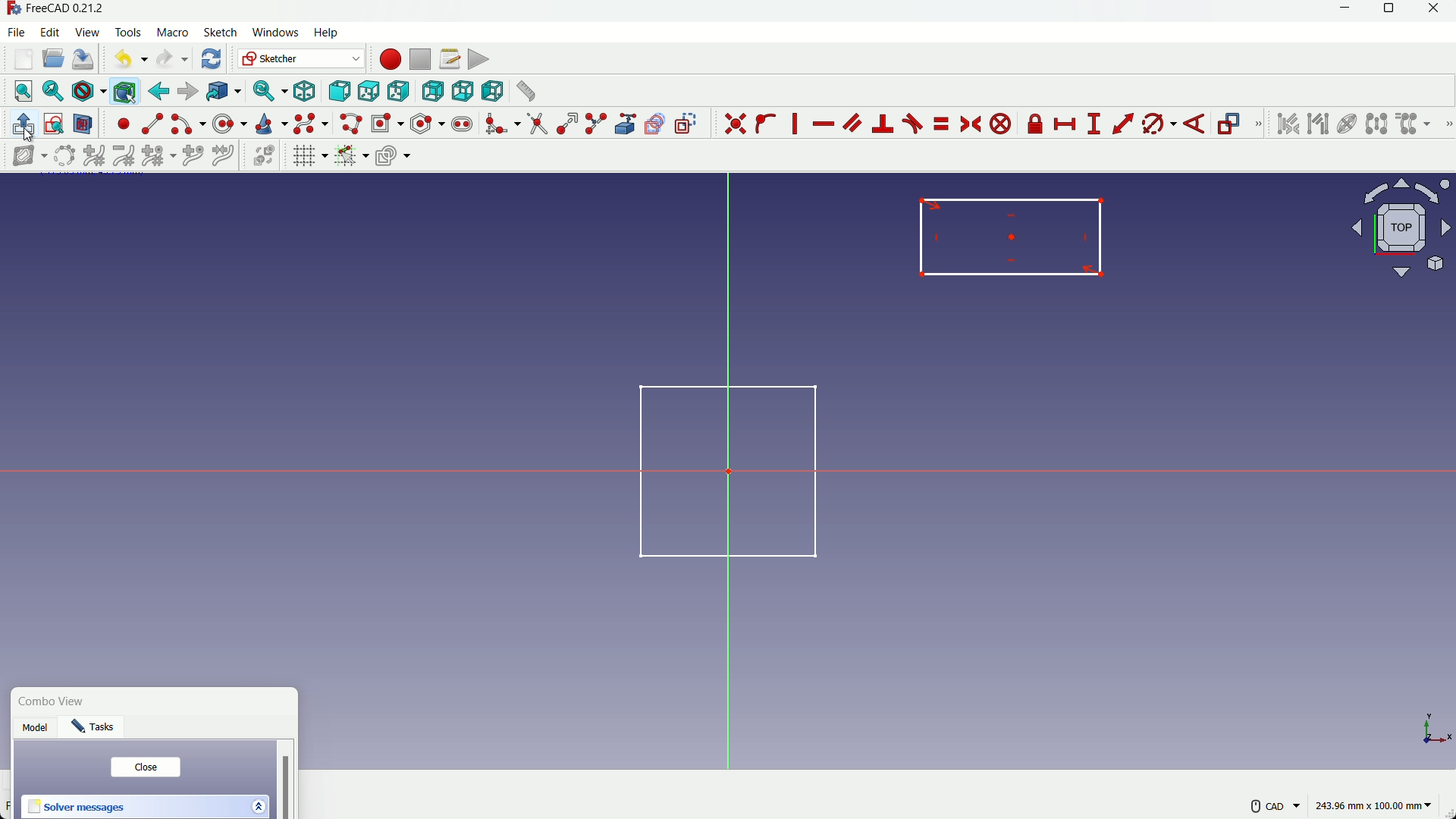 The image size is (1456, 819). Describe the element at coordinates (193, 154) in the screenshot. I see `insert knot` at that location.